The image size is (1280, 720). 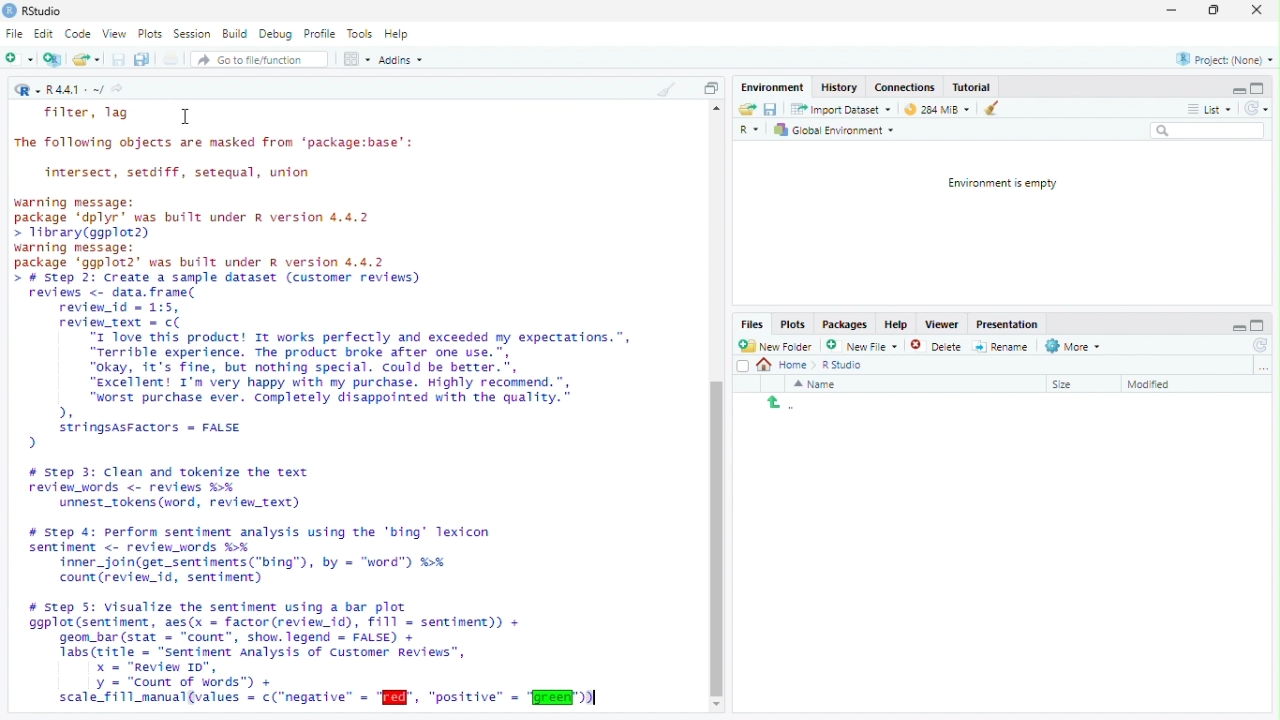 What do you see at coordinates (941, 325) in the screenshot?
I see `Viewer` at bounding box center [941, 325].